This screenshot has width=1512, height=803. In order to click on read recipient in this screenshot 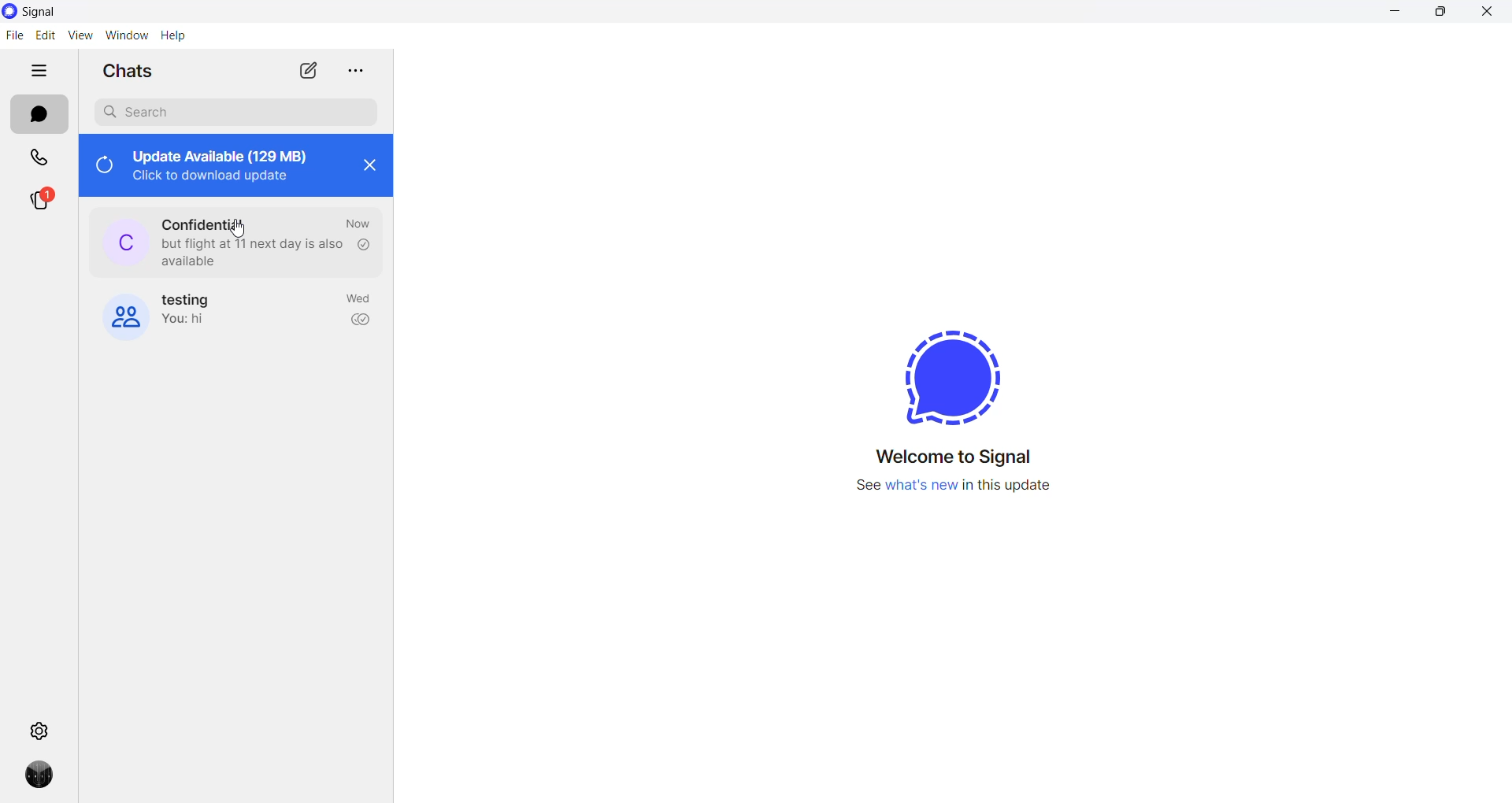, I will do `click(363, 245)`.